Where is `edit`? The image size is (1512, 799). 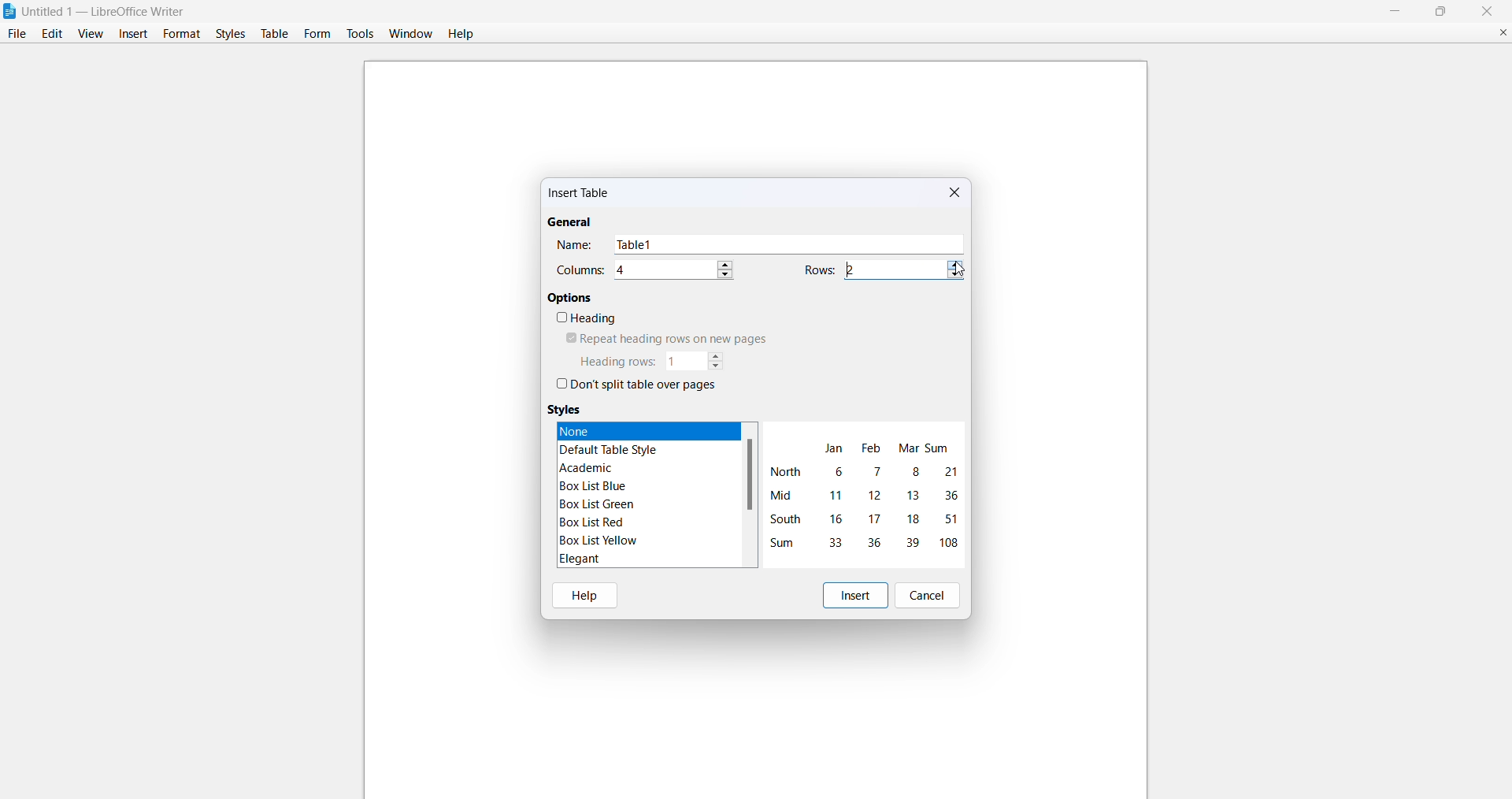 edit is located at coordinates (50, 34).